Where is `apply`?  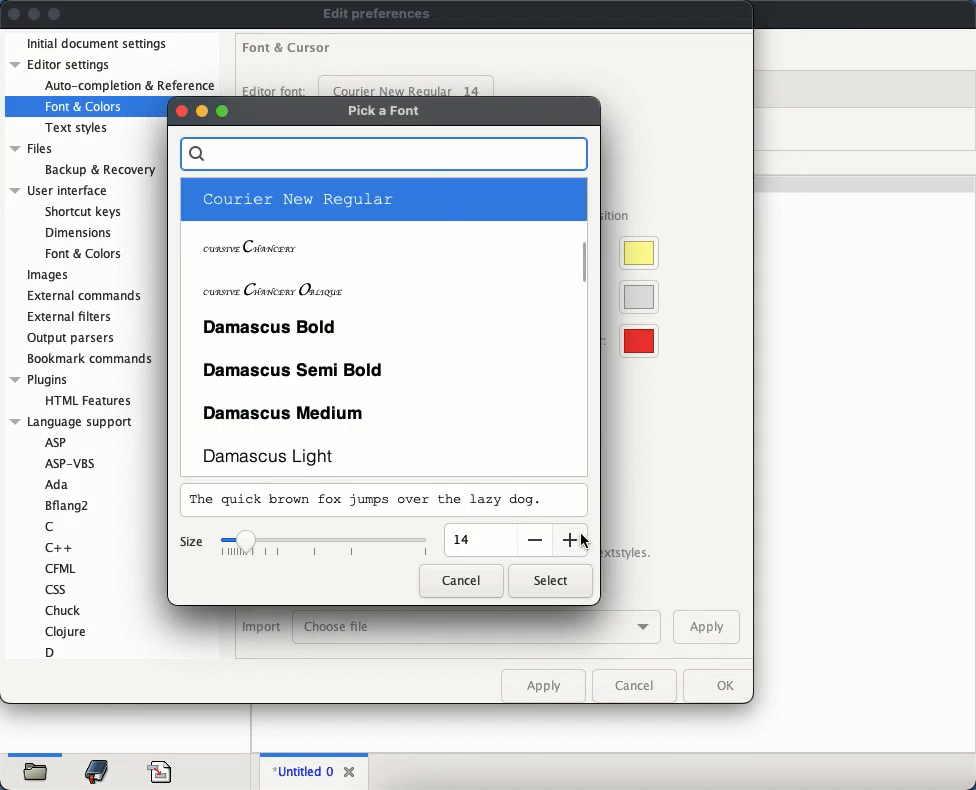 apply is located at coordinates (543, 685).